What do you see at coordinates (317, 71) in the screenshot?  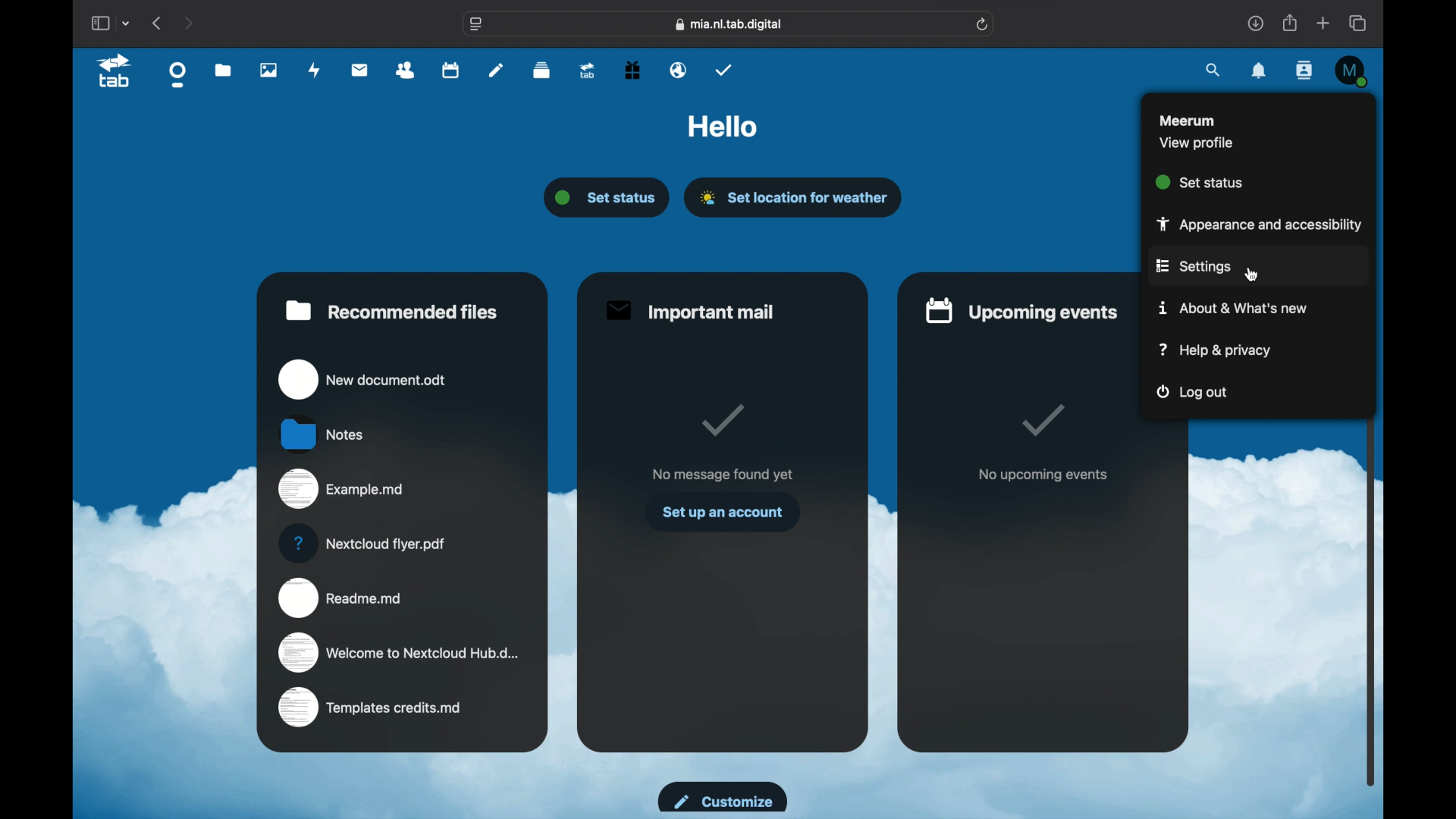 I see `activity` at bounding box center [317, 71].